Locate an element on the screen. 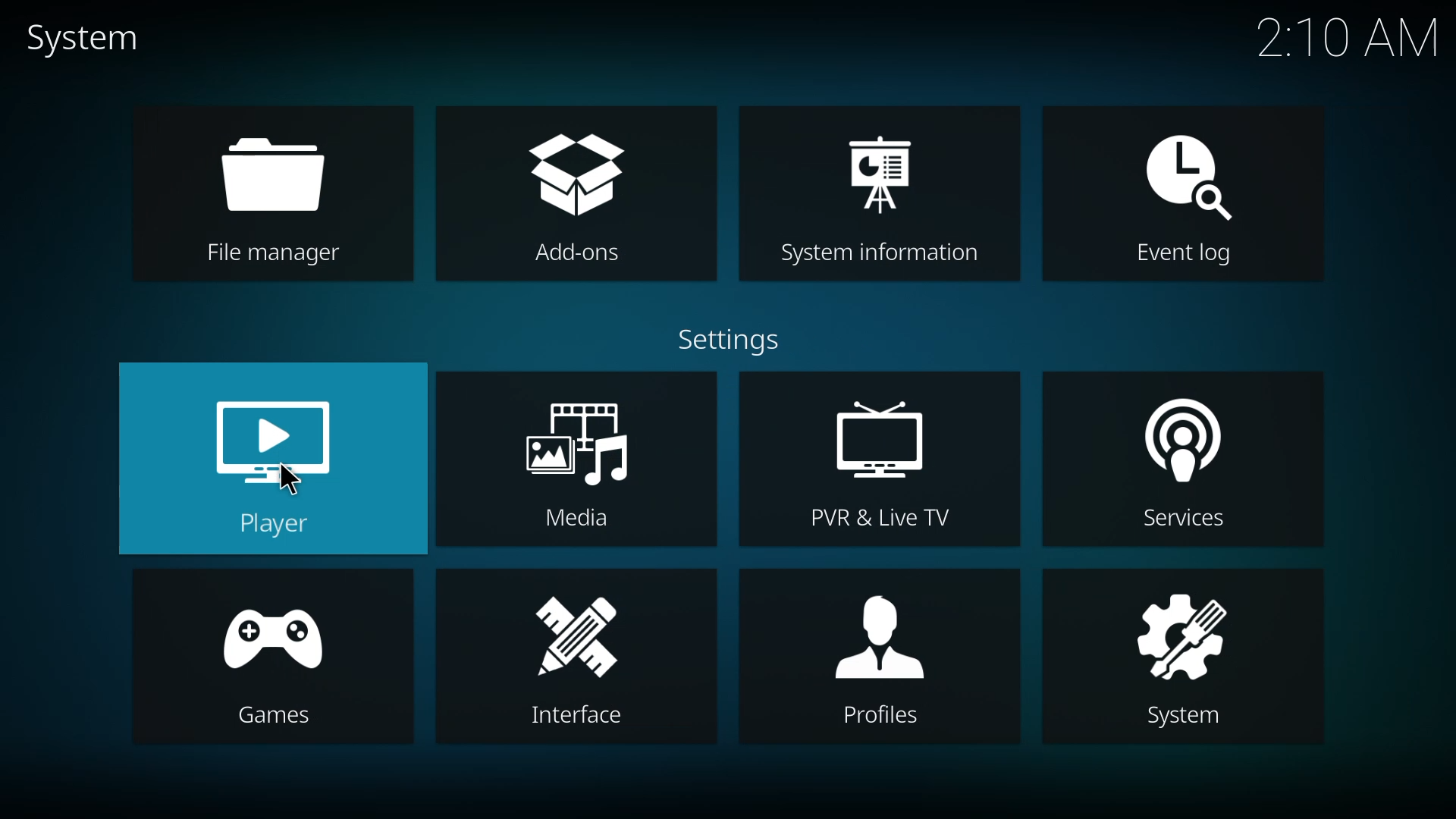 The image size is (1456, 819). settings is located at coordinates (736, 339).